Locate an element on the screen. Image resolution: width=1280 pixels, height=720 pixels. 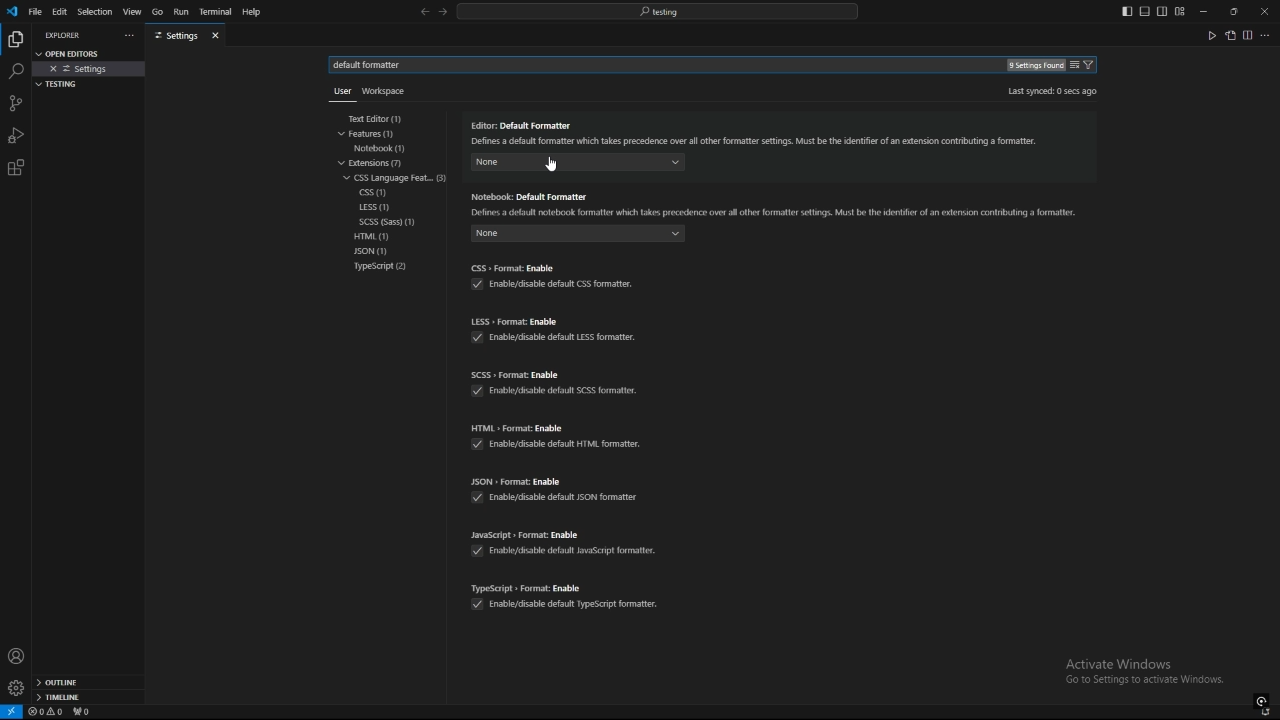
explore is located at coordinates (15, 38).